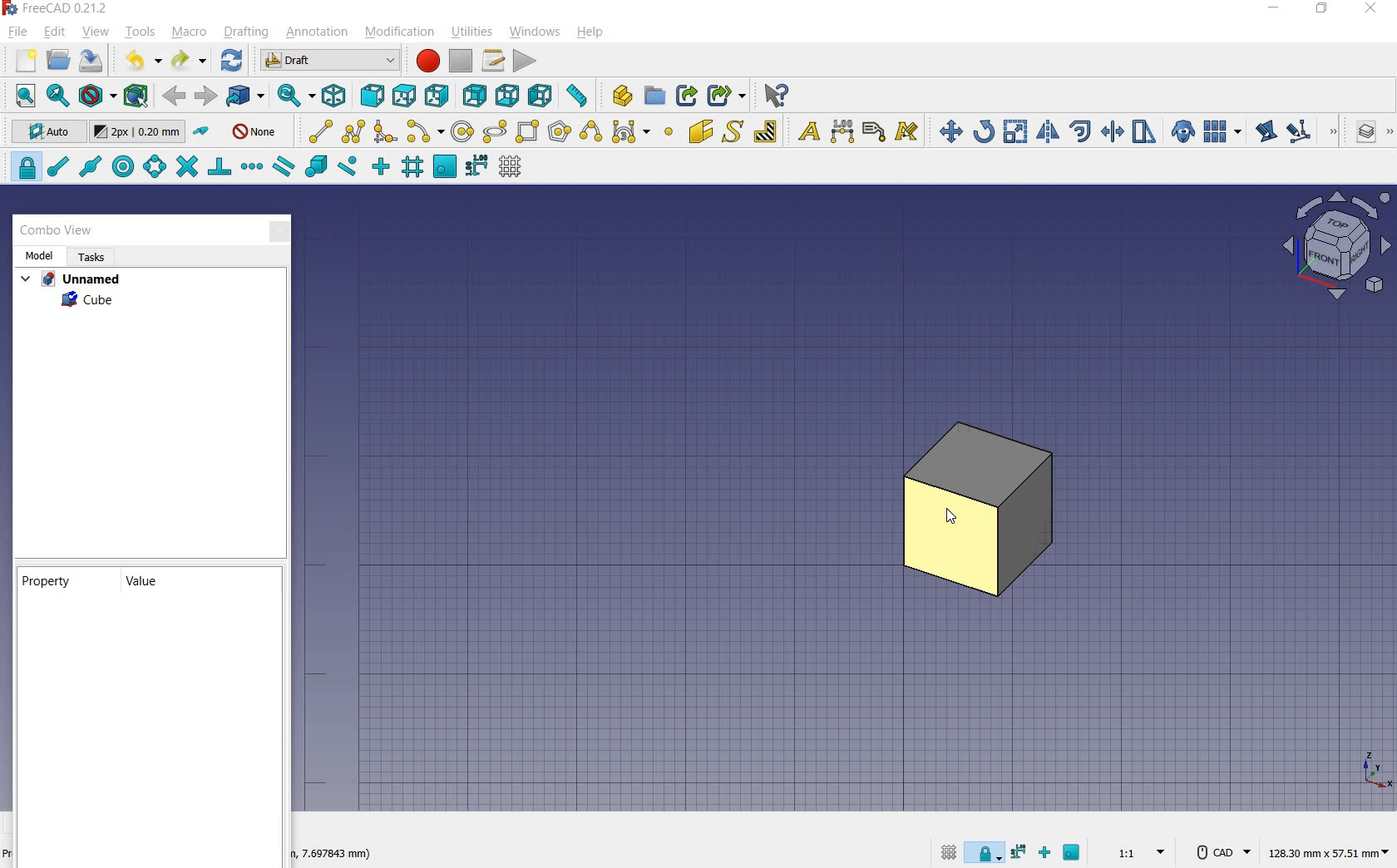 The height and width of the screenshot is (868, 1397). What do you see at coordinates (125, 166) in the screenshot?
I see `snap center` at bounding box center [125, 166].